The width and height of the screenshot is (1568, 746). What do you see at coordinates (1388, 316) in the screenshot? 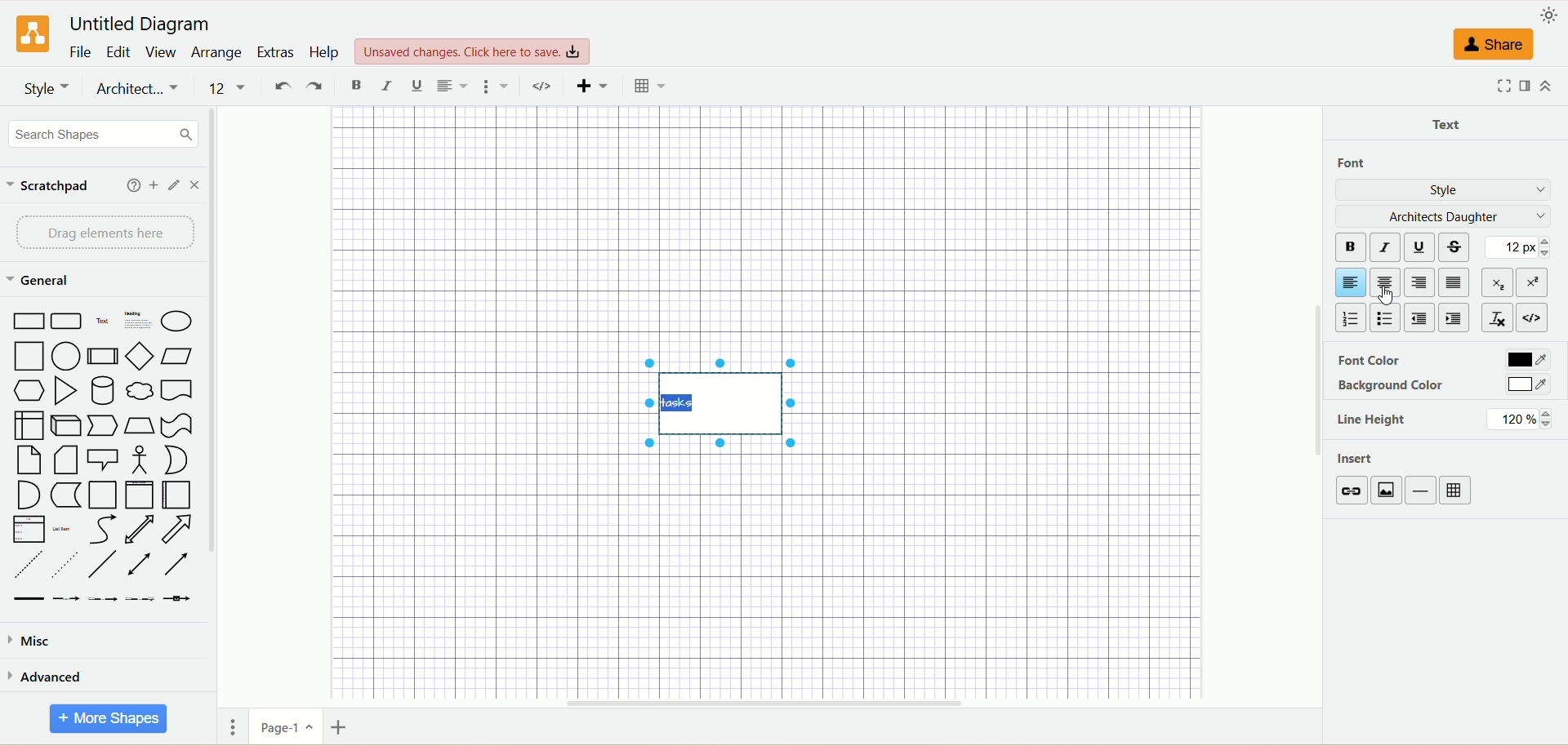
I see `bulleted list` at bounding box center [1388, 316].